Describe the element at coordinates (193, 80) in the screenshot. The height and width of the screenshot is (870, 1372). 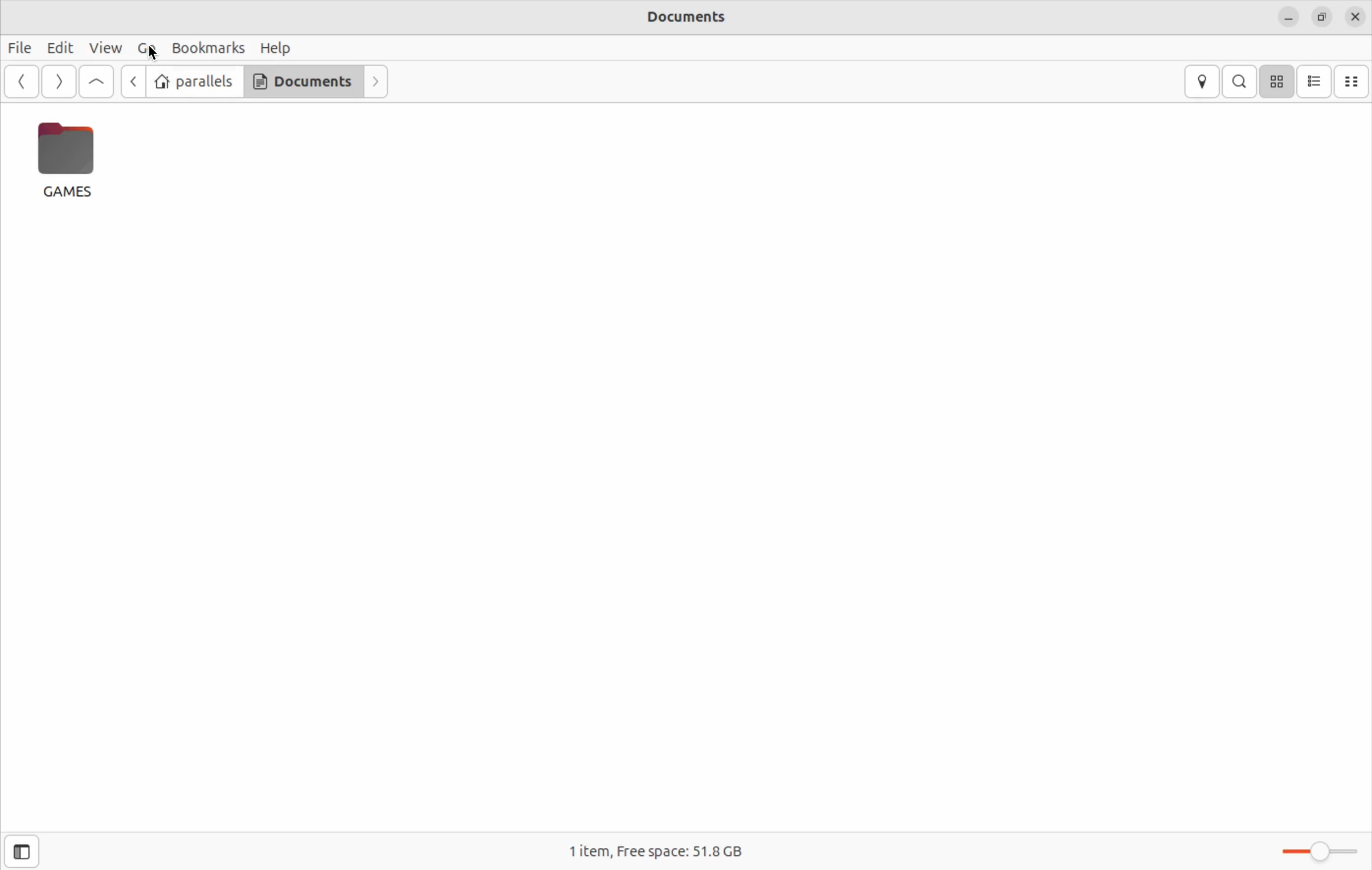
I see `parallels` at that location.